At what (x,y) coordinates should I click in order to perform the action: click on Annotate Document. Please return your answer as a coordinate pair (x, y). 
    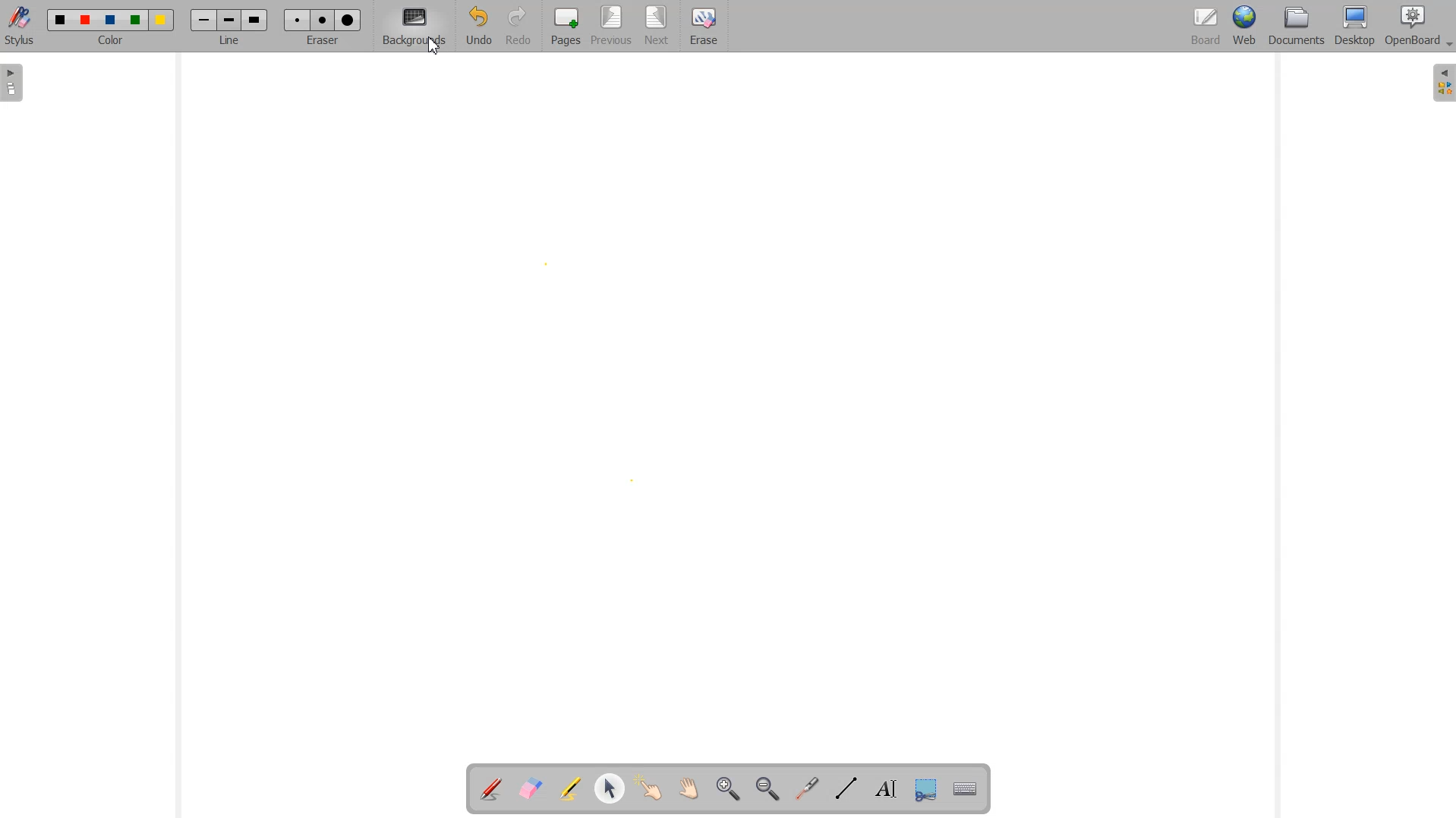
    Looking at the image, I should click on (491, 789).